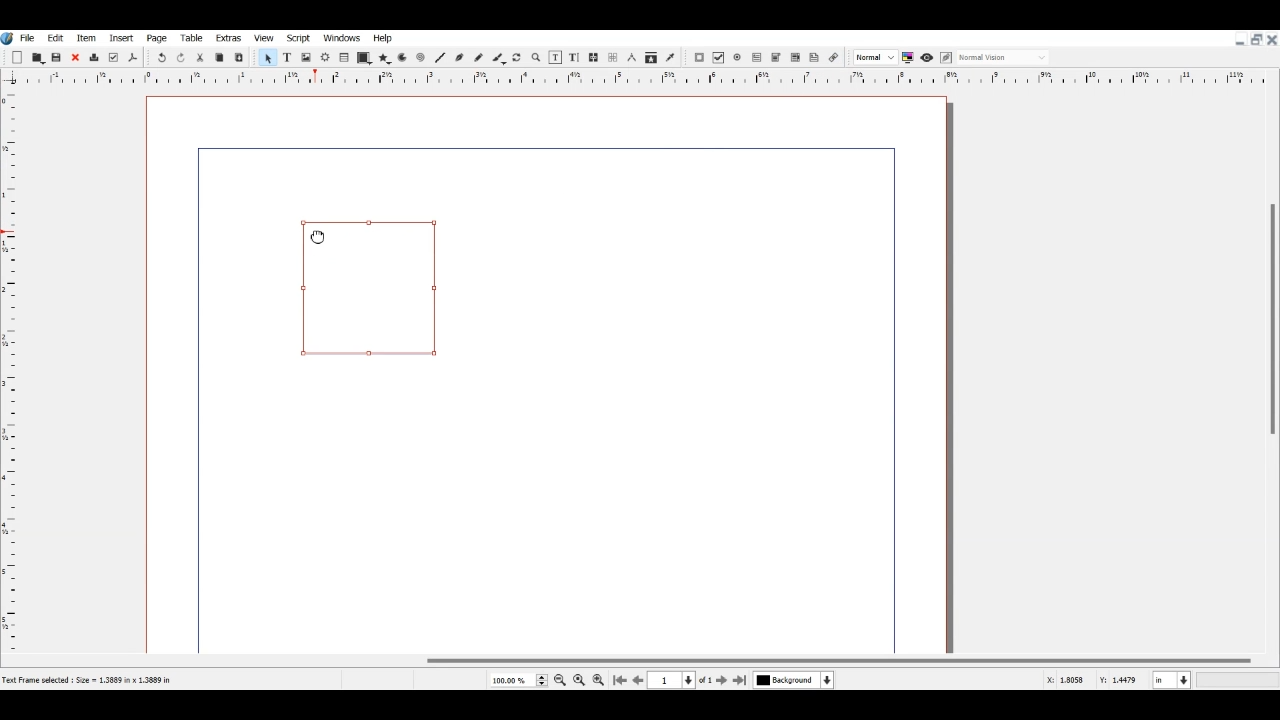 This screenshot has width=1280, height=720. I want to click on Minimize, so click(1240, 40).